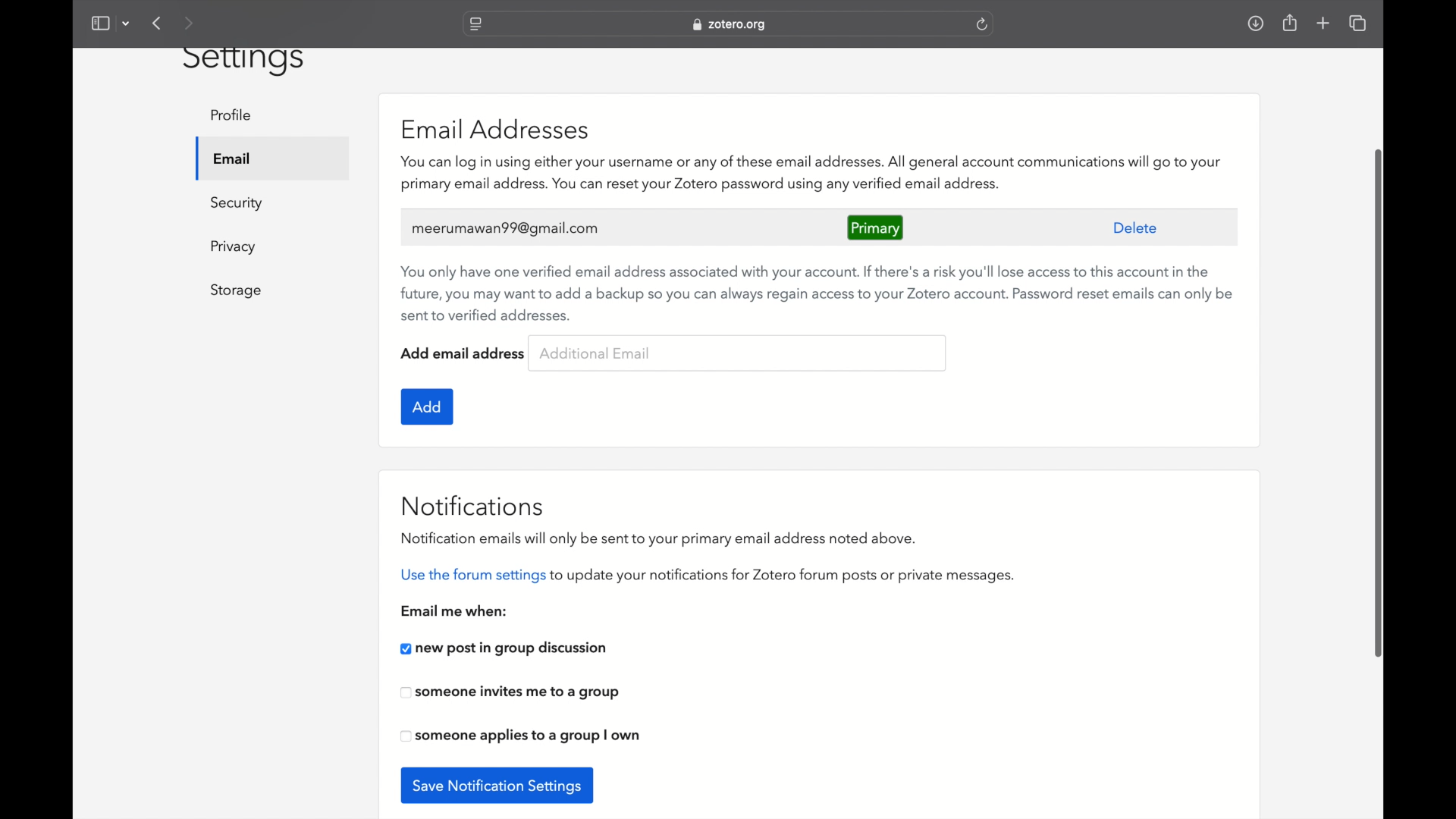 Image resolution: width=1456 pixels, height=819 pixels. What do you see at coordinates (1288, 23) in the screenshot?
I see `share` at bounding box center [1288, 23].